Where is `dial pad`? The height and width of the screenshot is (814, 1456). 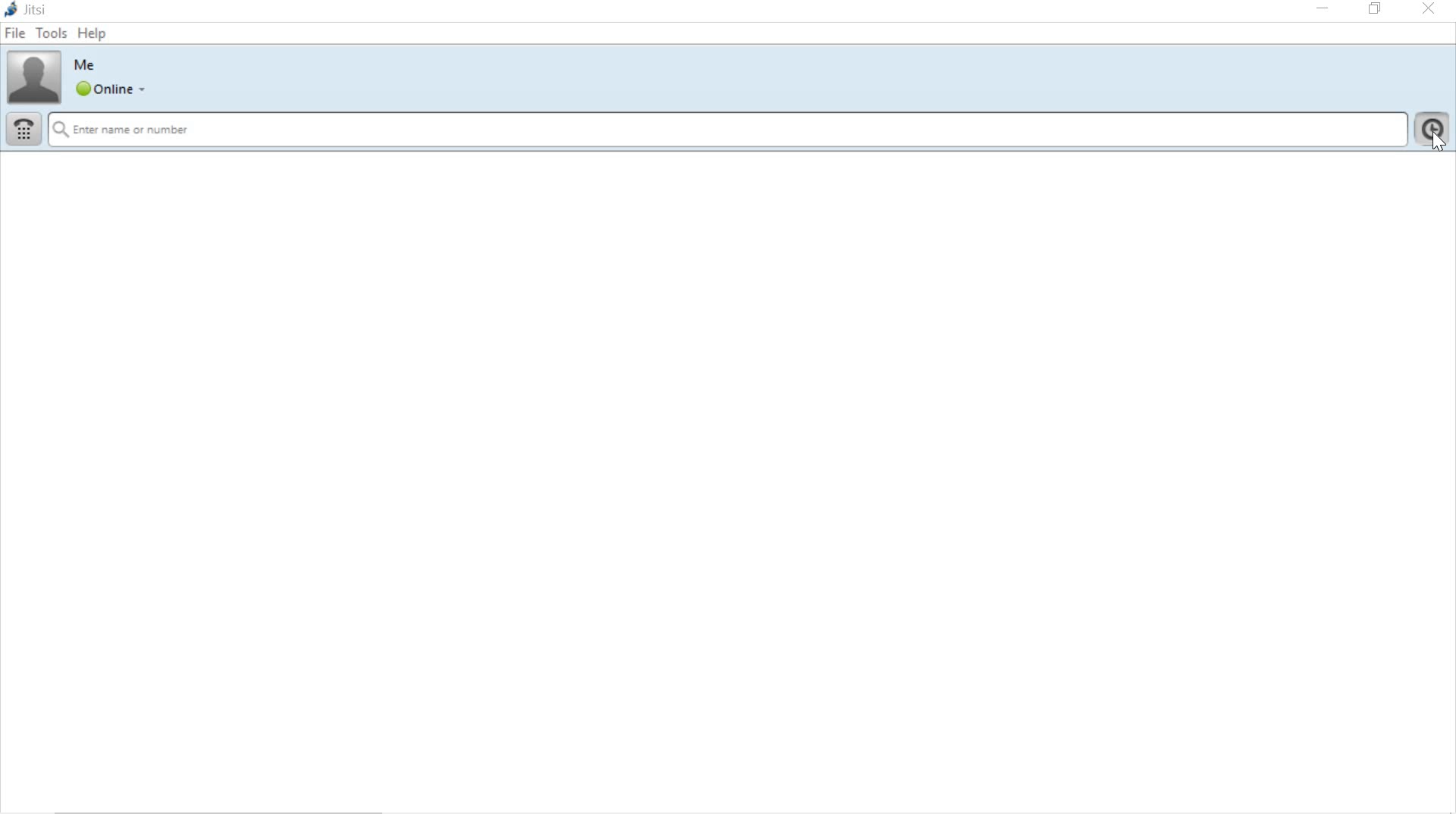
dial pad is located at coordinates (22, 131).